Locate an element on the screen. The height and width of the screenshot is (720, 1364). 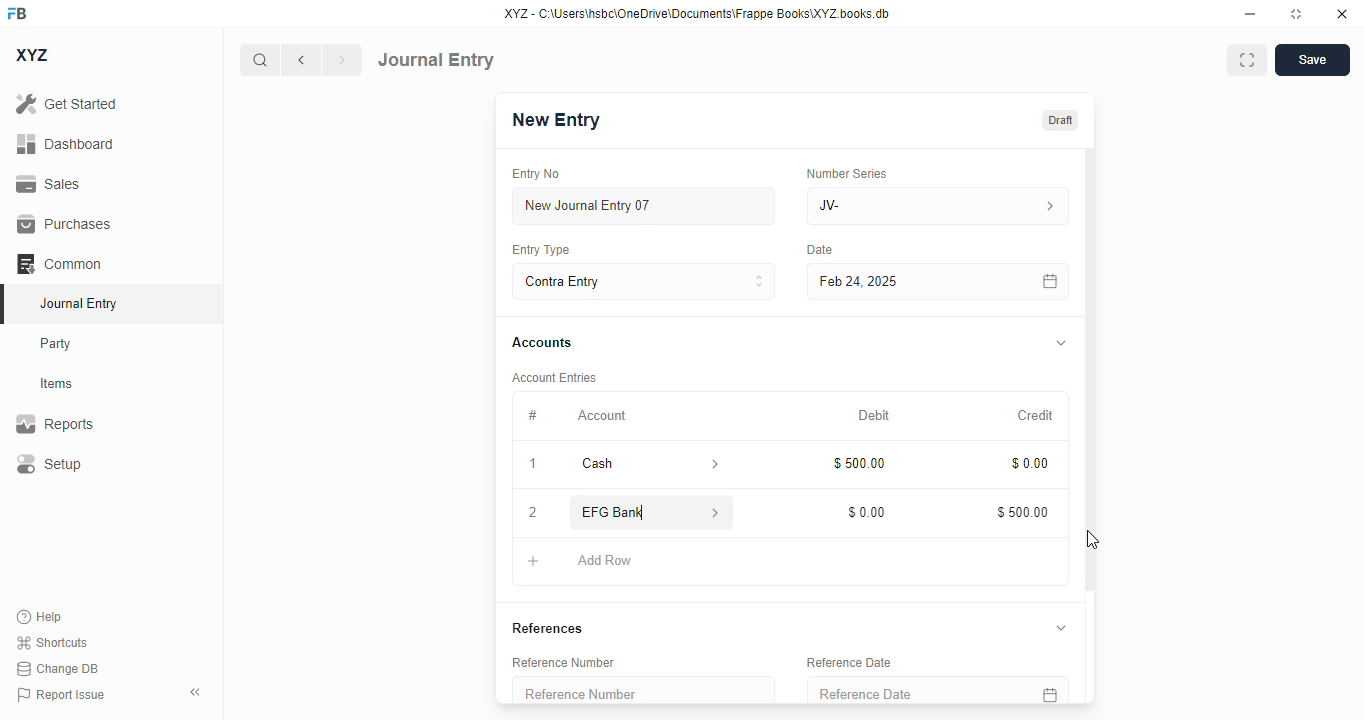
next is located at coordinates (343, 60).